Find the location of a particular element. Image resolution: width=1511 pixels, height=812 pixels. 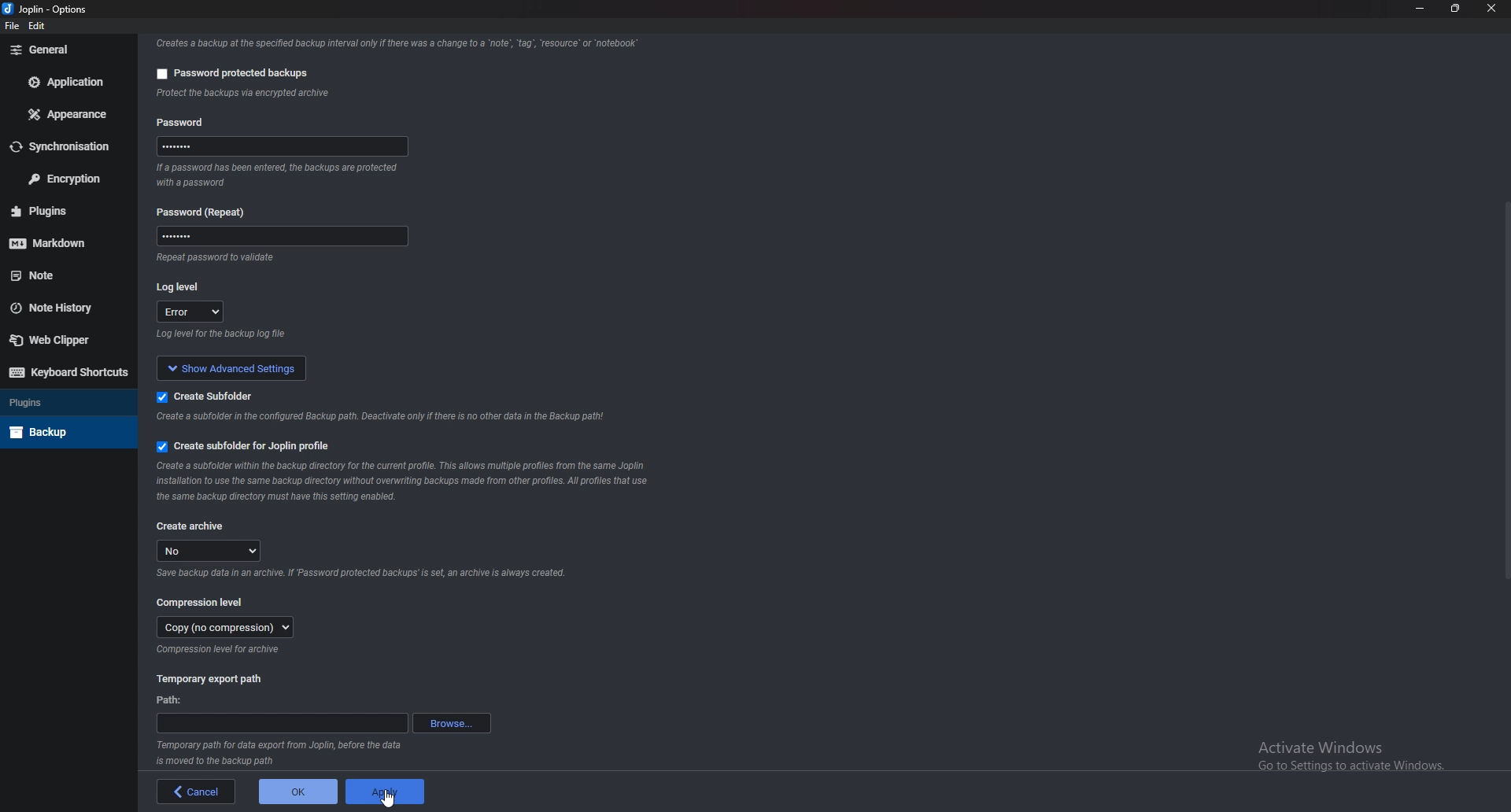

path is located at coordinates (172, 699).